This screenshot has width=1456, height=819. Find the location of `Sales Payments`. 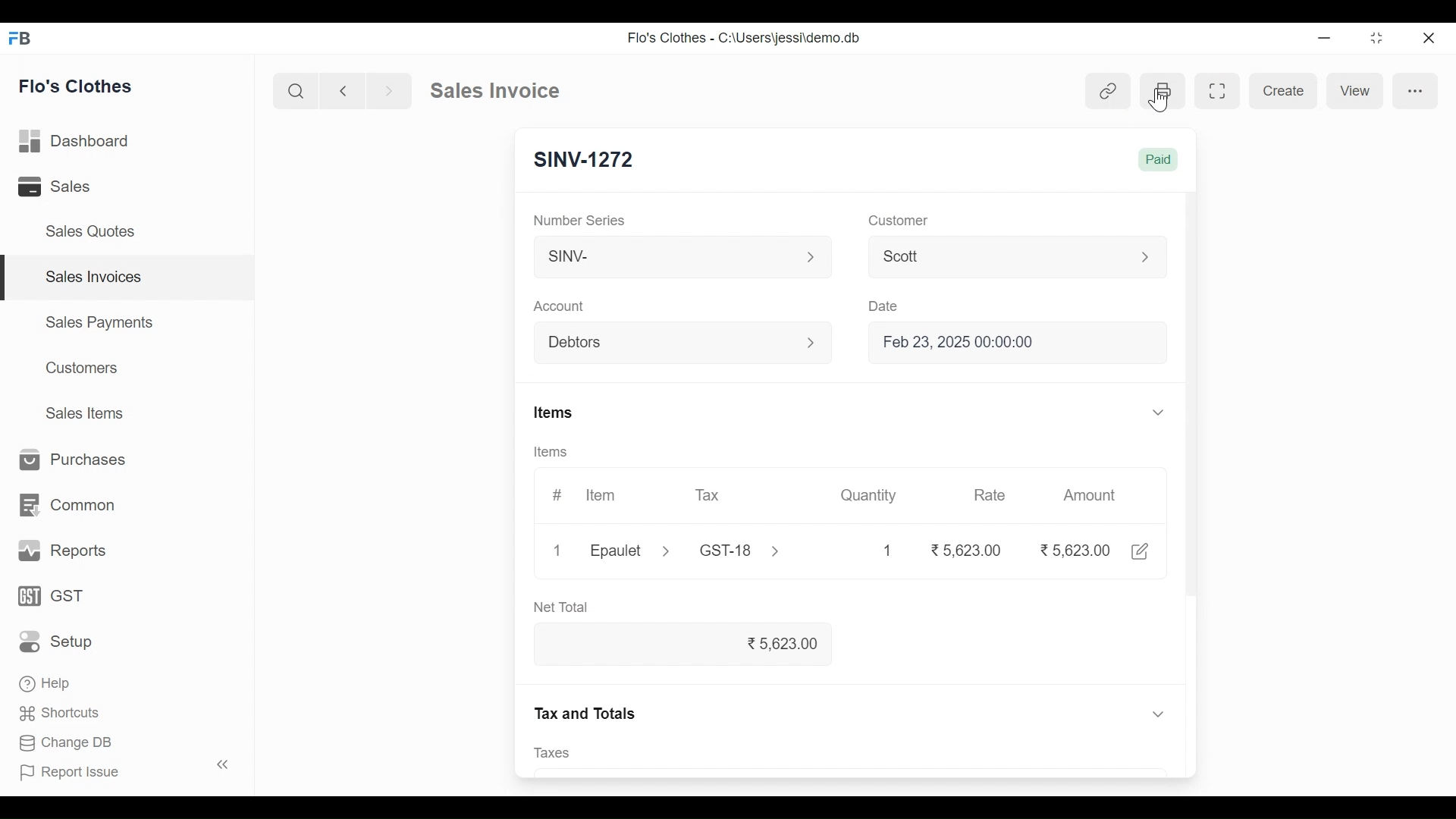

Sales Payments is located at coordinates (101, 322).